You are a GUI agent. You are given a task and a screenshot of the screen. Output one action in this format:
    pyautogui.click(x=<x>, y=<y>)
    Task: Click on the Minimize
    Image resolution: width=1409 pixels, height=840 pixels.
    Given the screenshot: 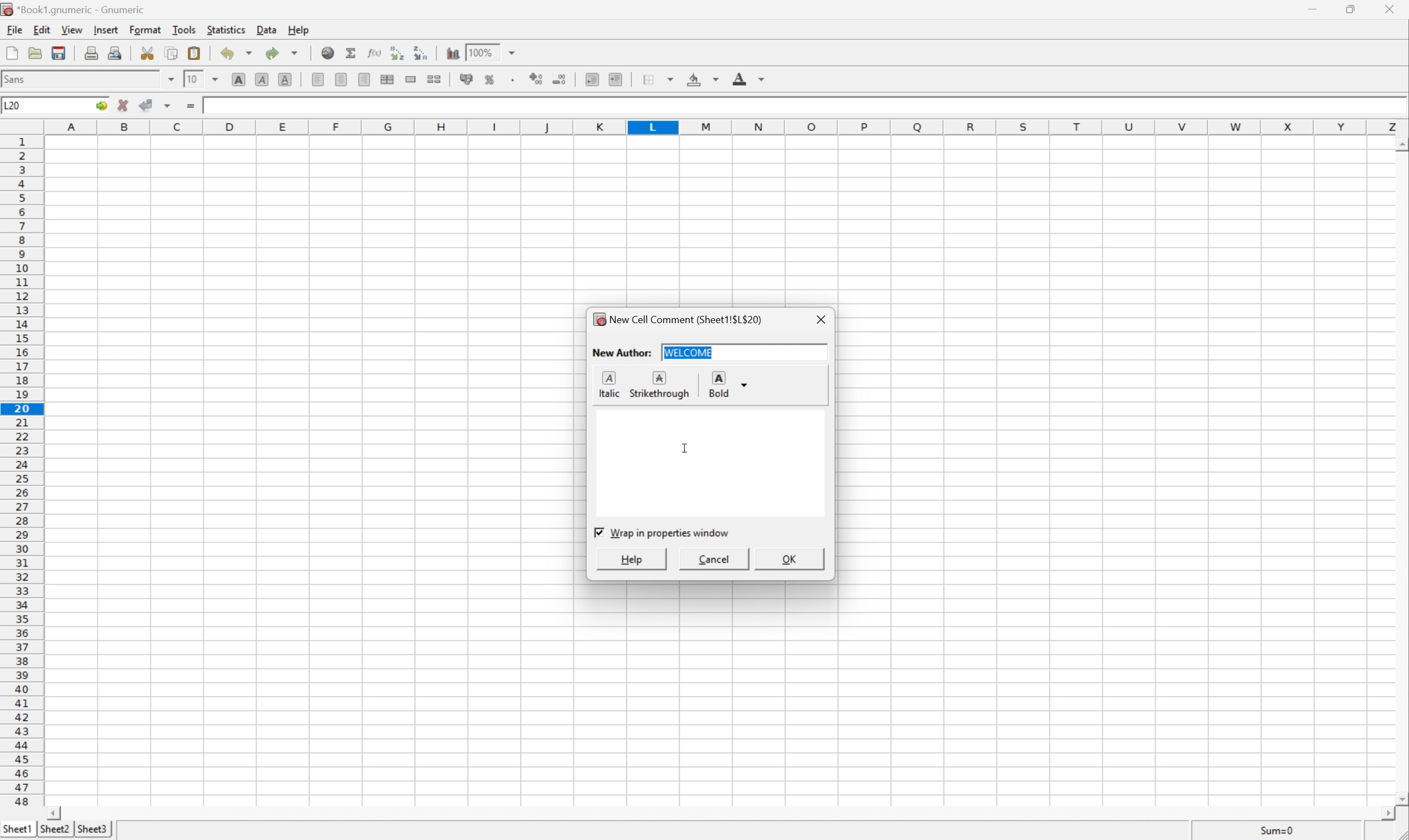 What is the action you would take?
    pyautogui.click(x=1315, y=8)
    